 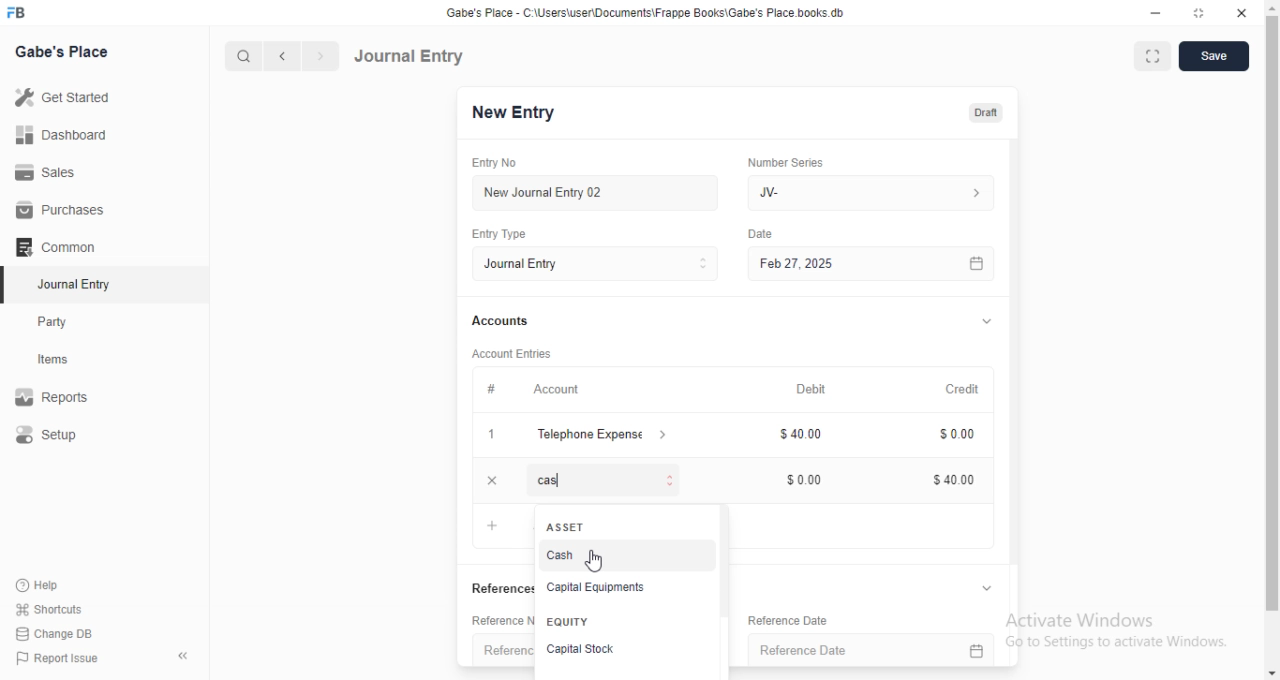 I want to click on Credit, so click(x=971, y=390).